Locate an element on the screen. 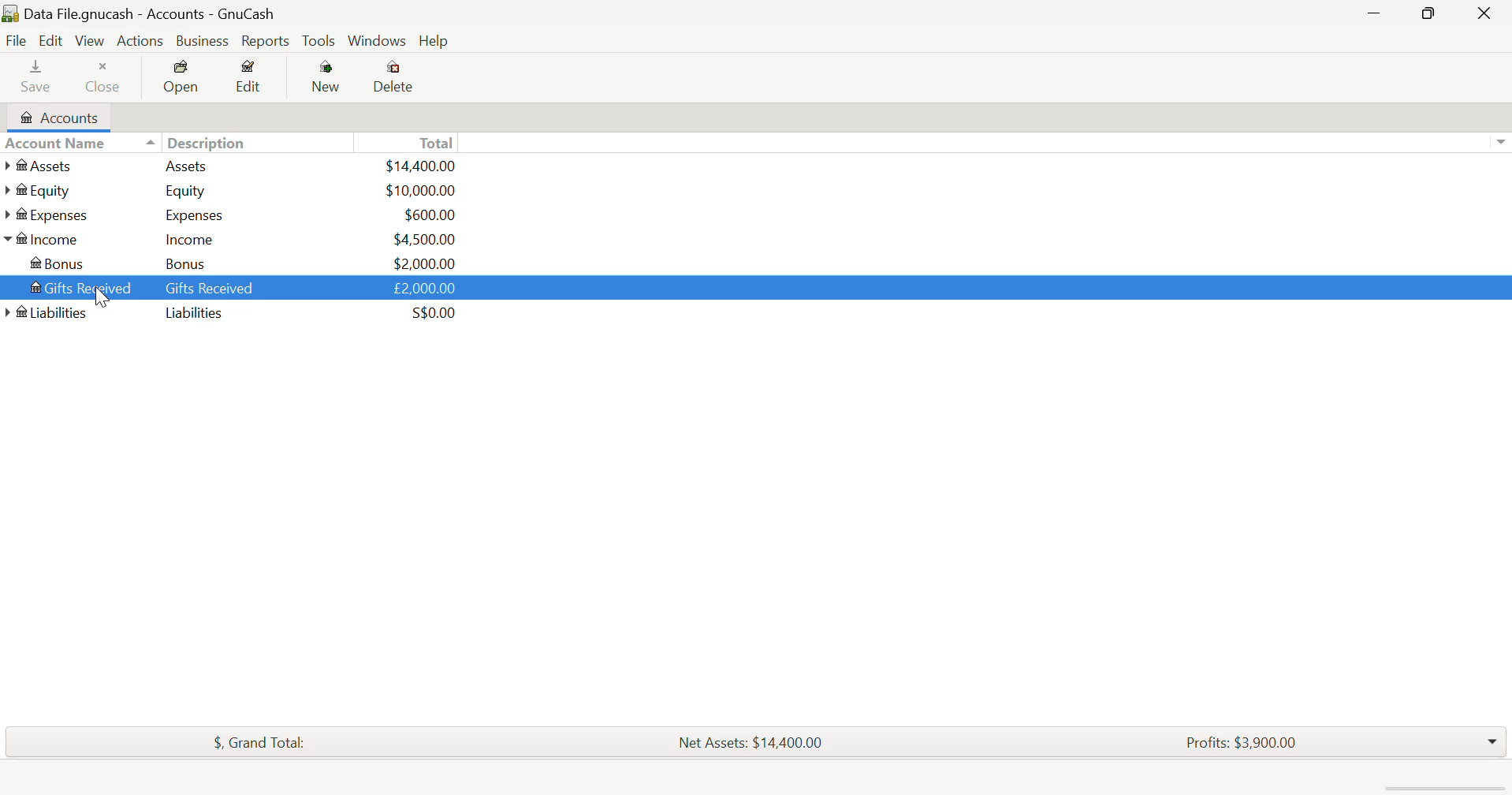 Image resolution: width=1512 pixels, height=795 pixels. Gifts Received is located at coordinates (76, 286).